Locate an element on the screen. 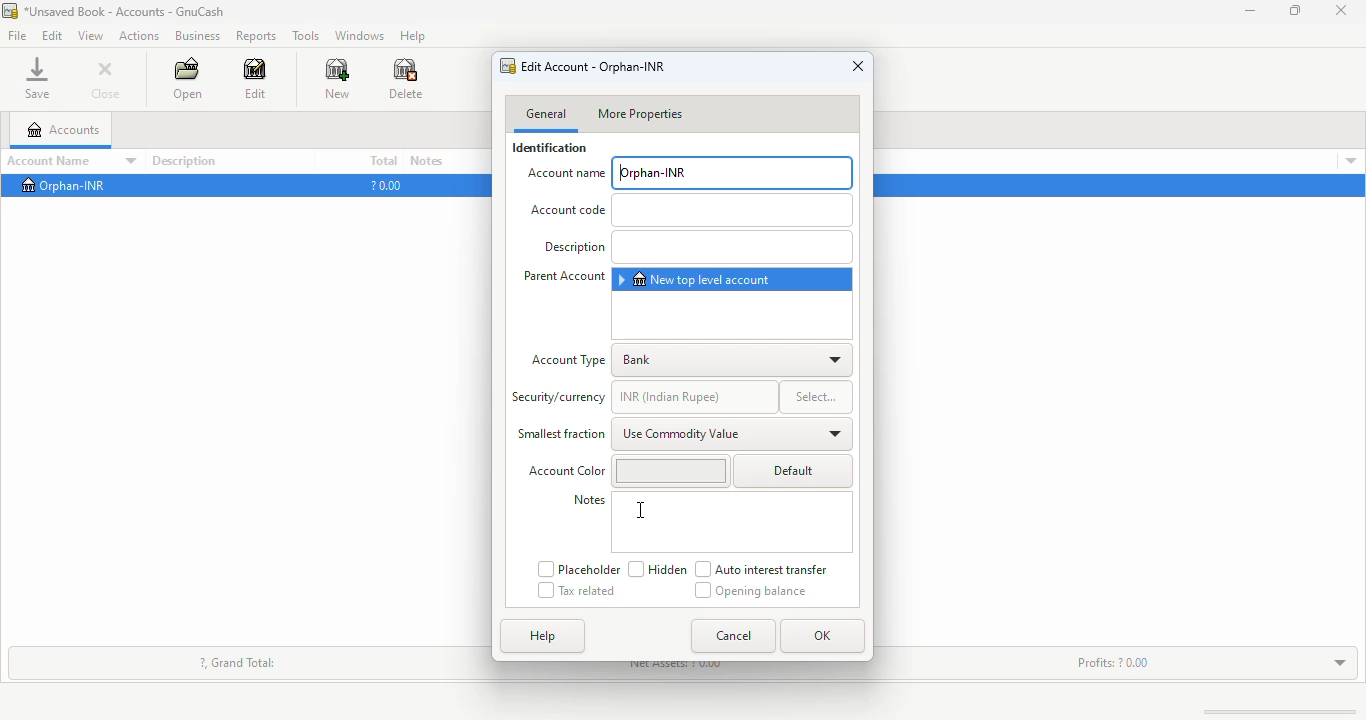 The width and height of the screenshot is (1366, 720). parents account is located at coordinates (565, 276).